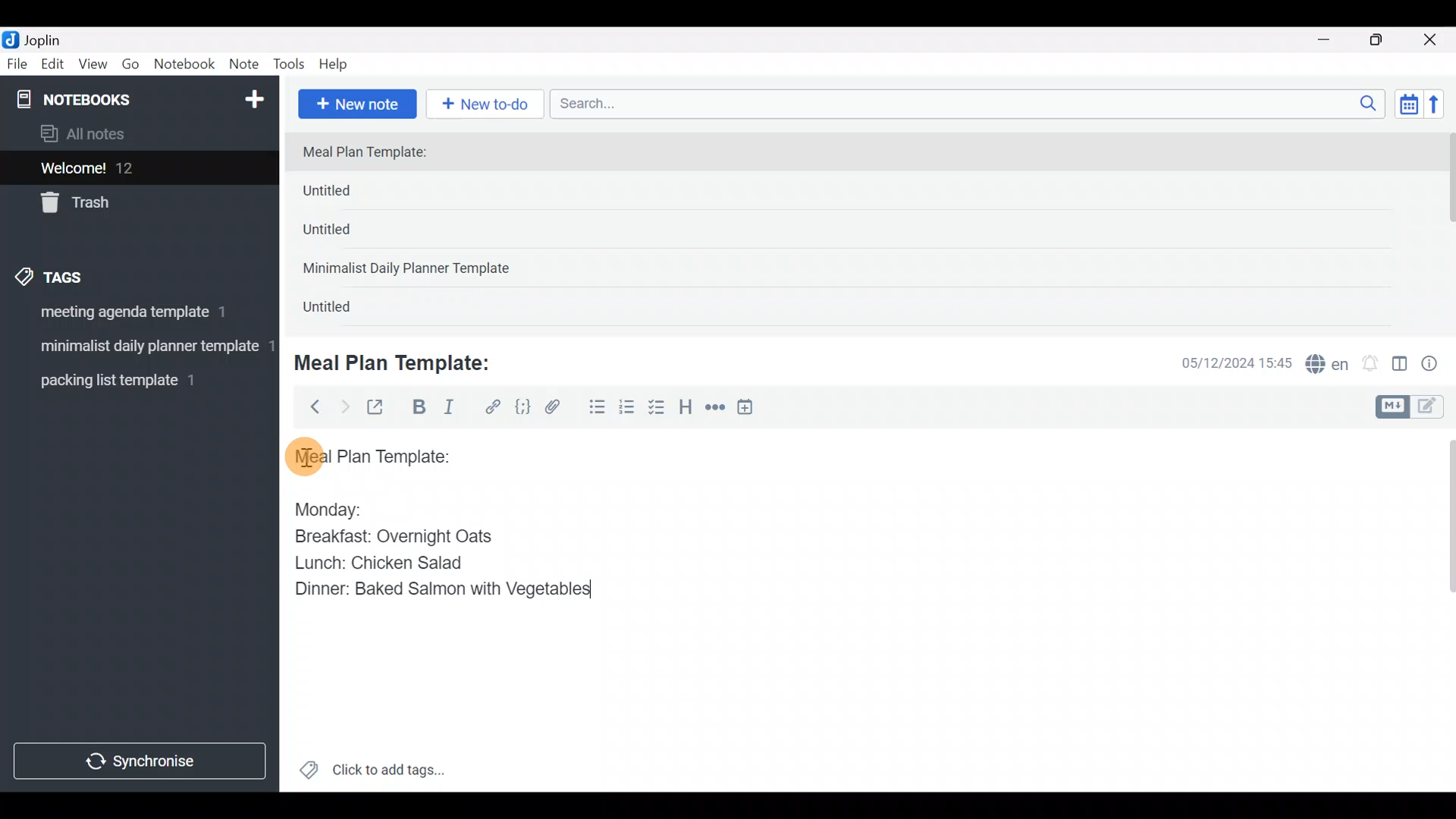  I want to click on Minimalist Daily Planner Template, so click(411, 270).